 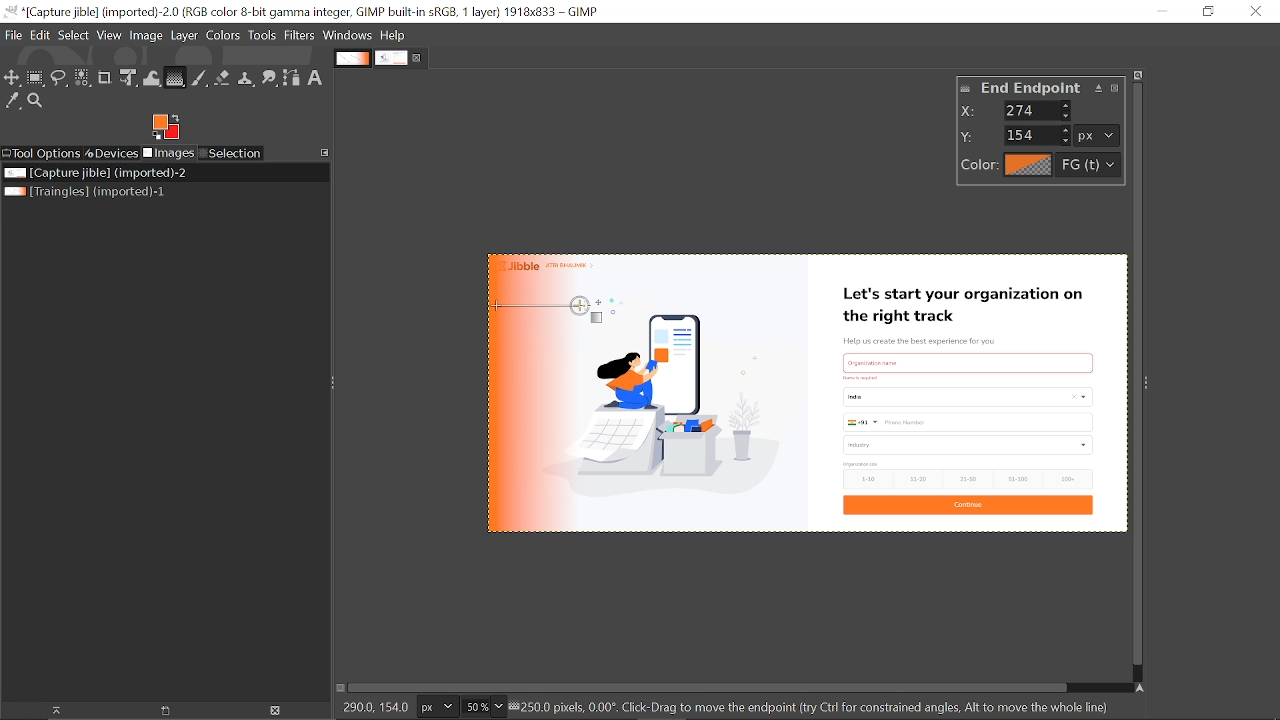 What do you see at coordinates (504, 313) in the screenshot?
I see `Cursor` at bounding box center [504, 313].